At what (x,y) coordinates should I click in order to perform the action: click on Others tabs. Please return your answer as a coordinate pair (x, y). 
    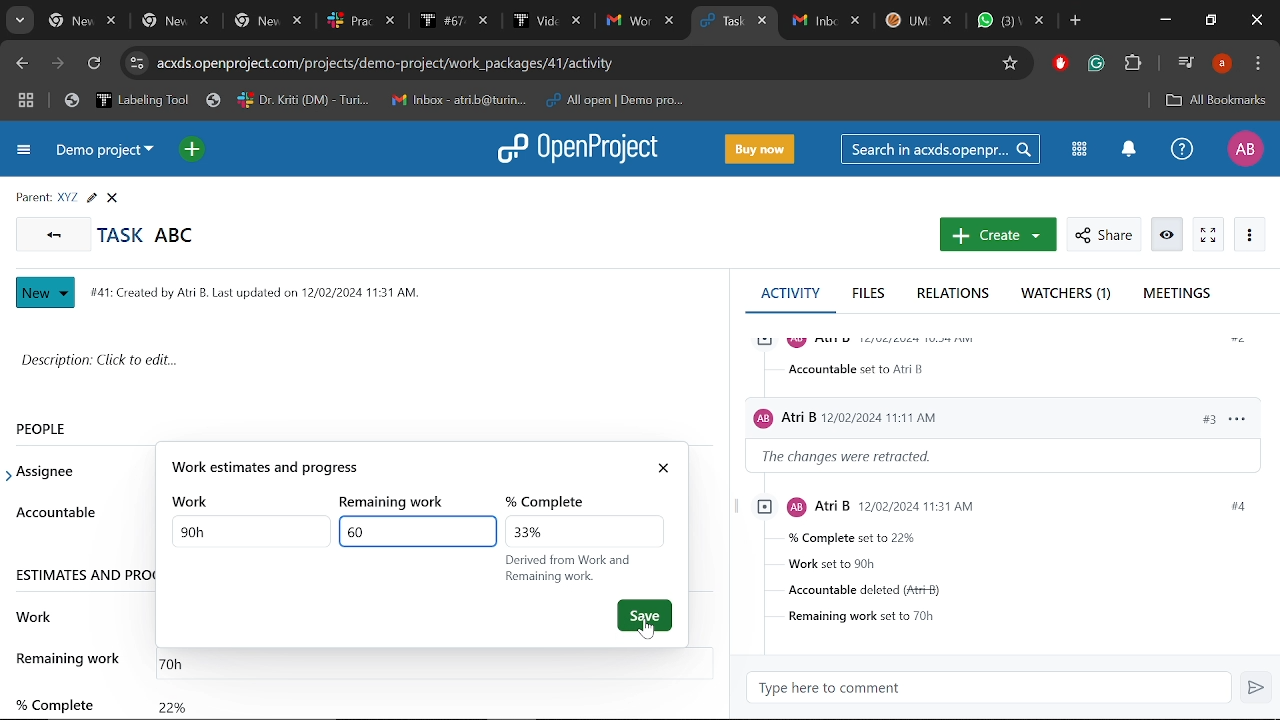
    Looking at the image, I should click on (363, 21).